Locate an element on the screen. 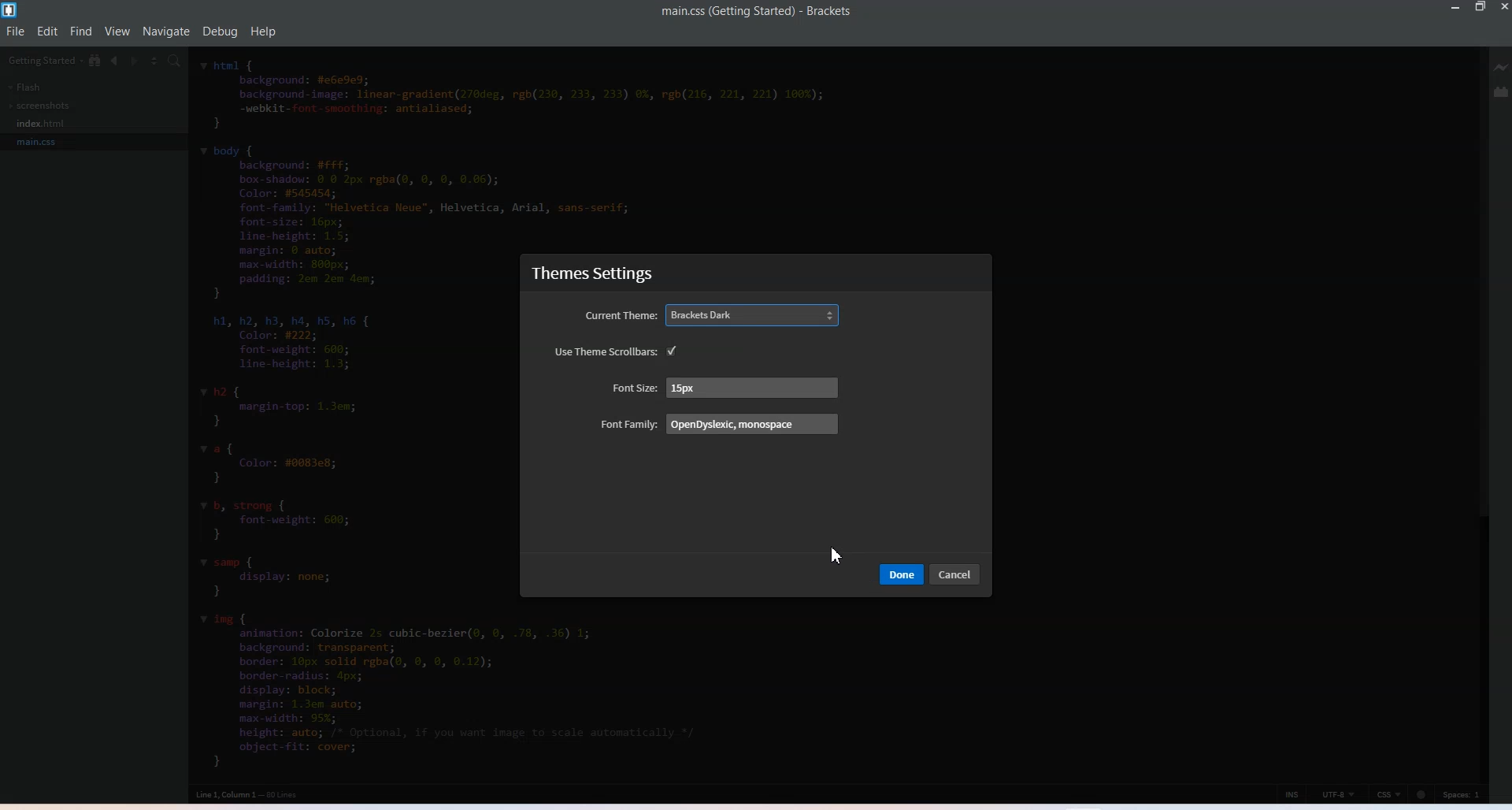 The width and height of the screenshot is (1512, 810). UTF-8 is located at coordinates (1340, 793).